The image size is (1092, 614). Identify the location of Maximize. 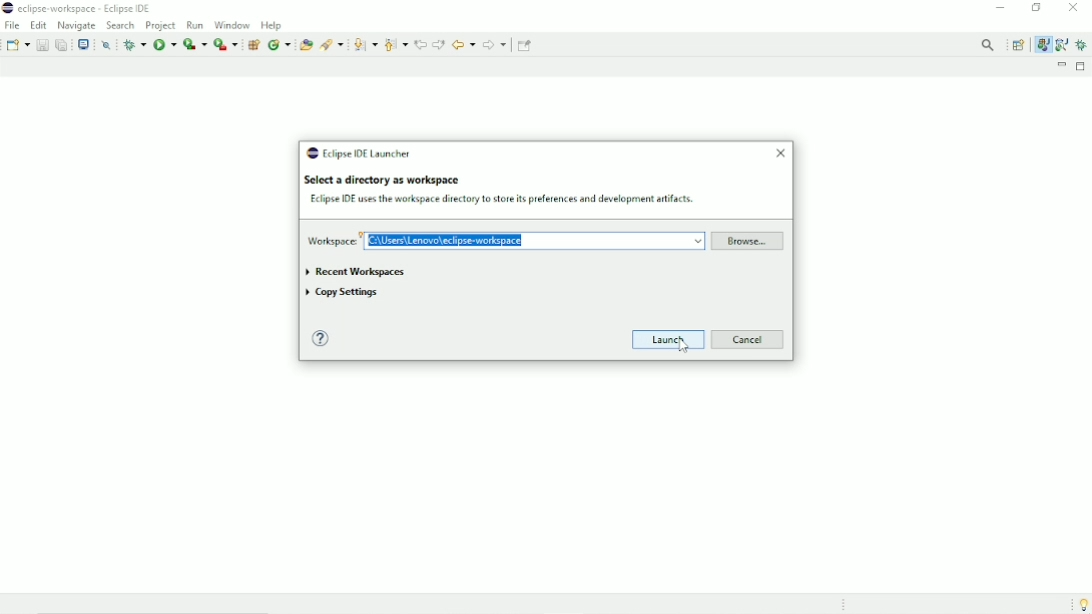
(1083, 67).